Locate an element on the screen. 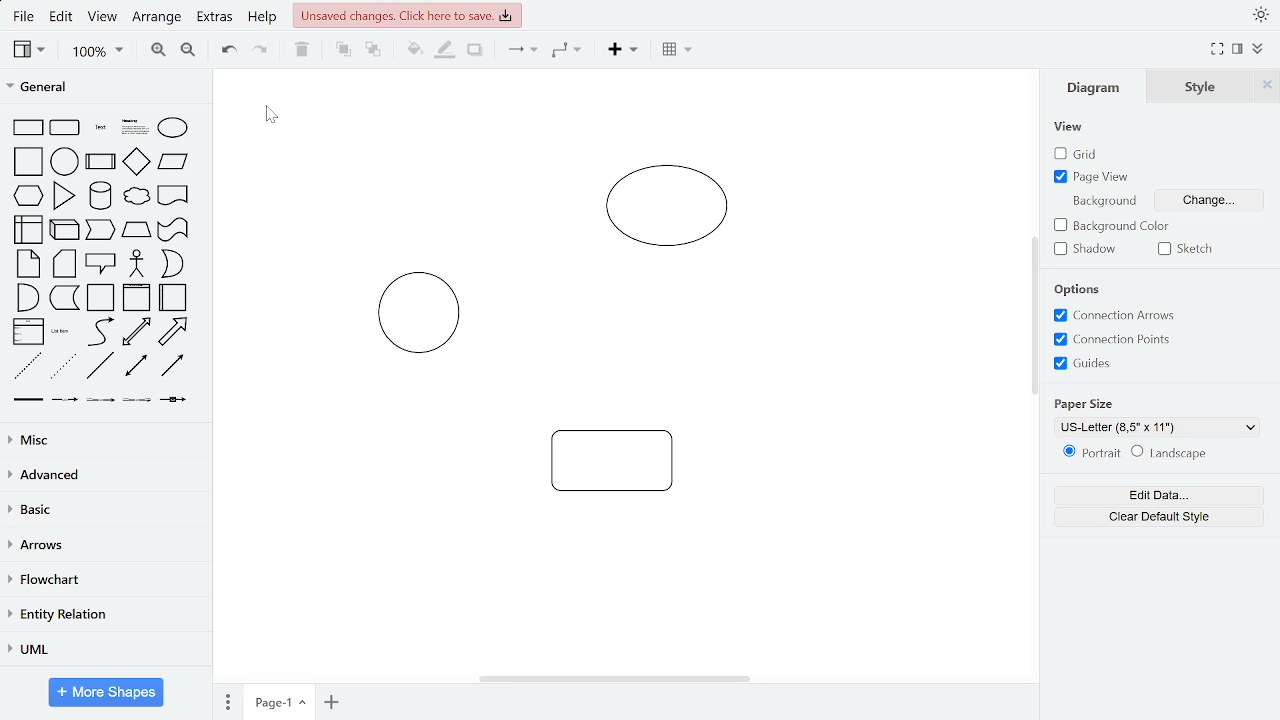 The image size is (1280, 720). fill color is located at coordinates (409, 50).